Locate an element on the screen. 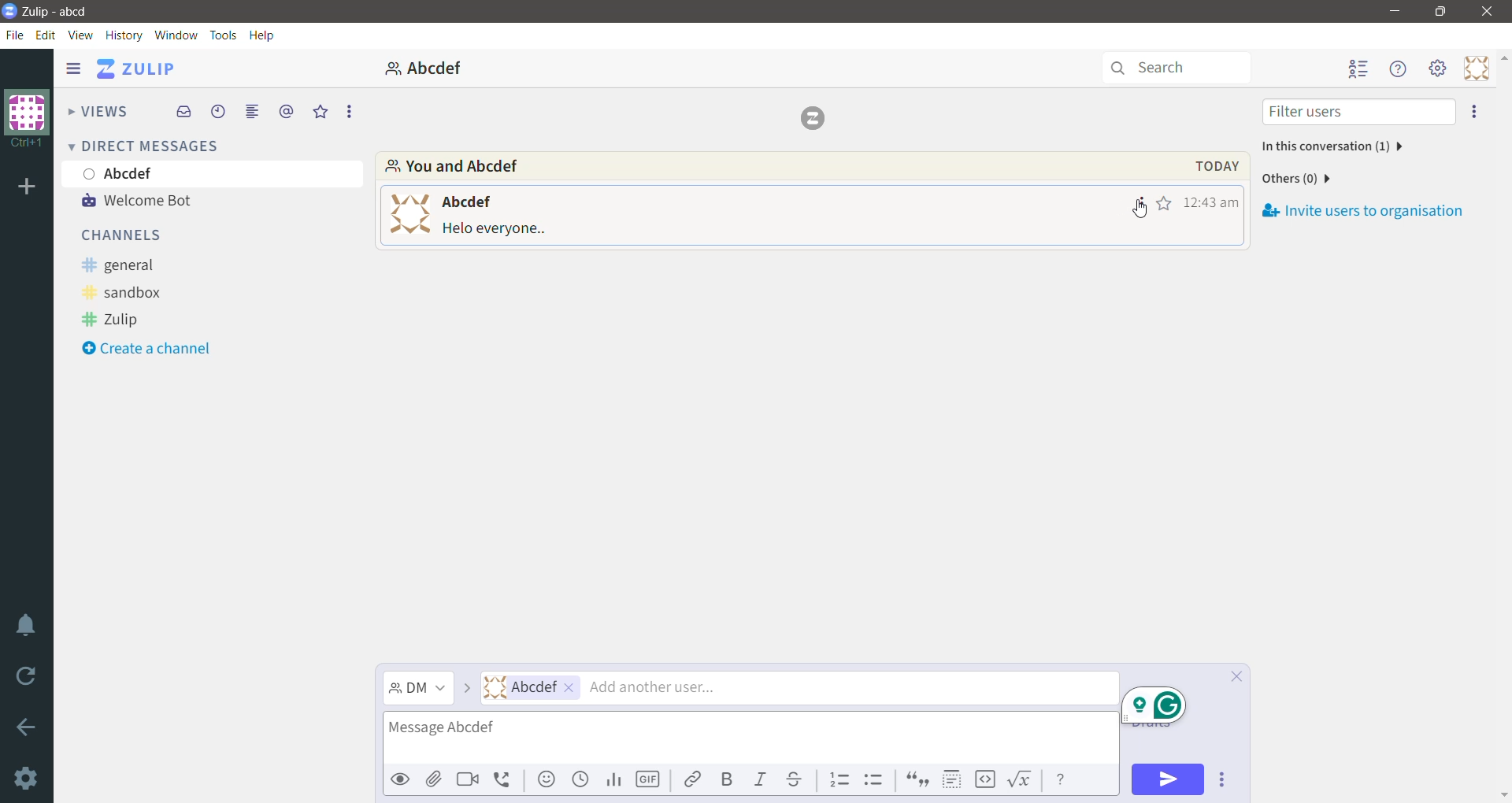 Image resolution: width=1512 pixels, height=803 pixels. Reload is located at coordinates (28, 677).